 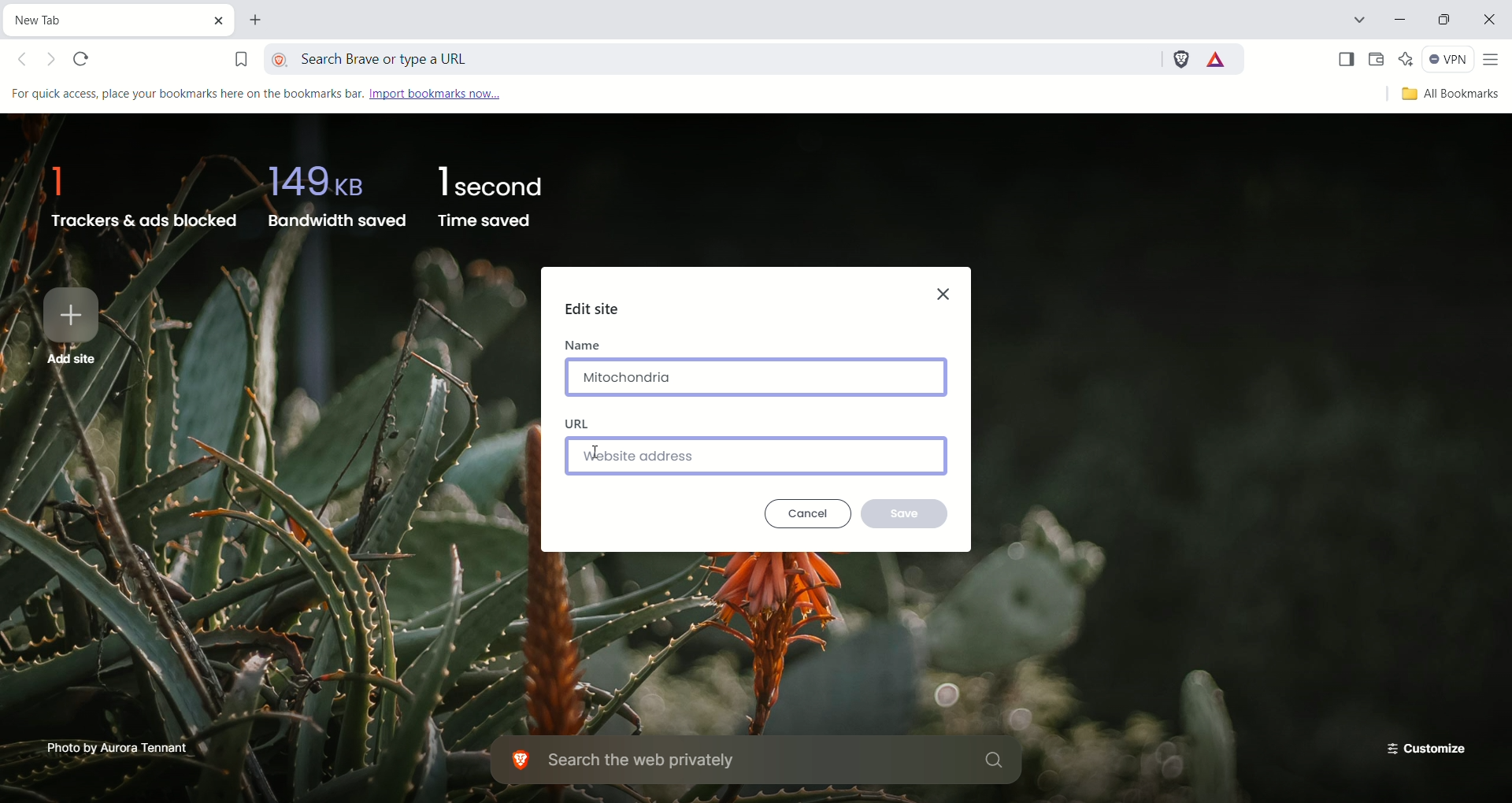 What do you see at coordinates (947, 290) in the screenshot?
I see `close` at bounding box center [947, 290].